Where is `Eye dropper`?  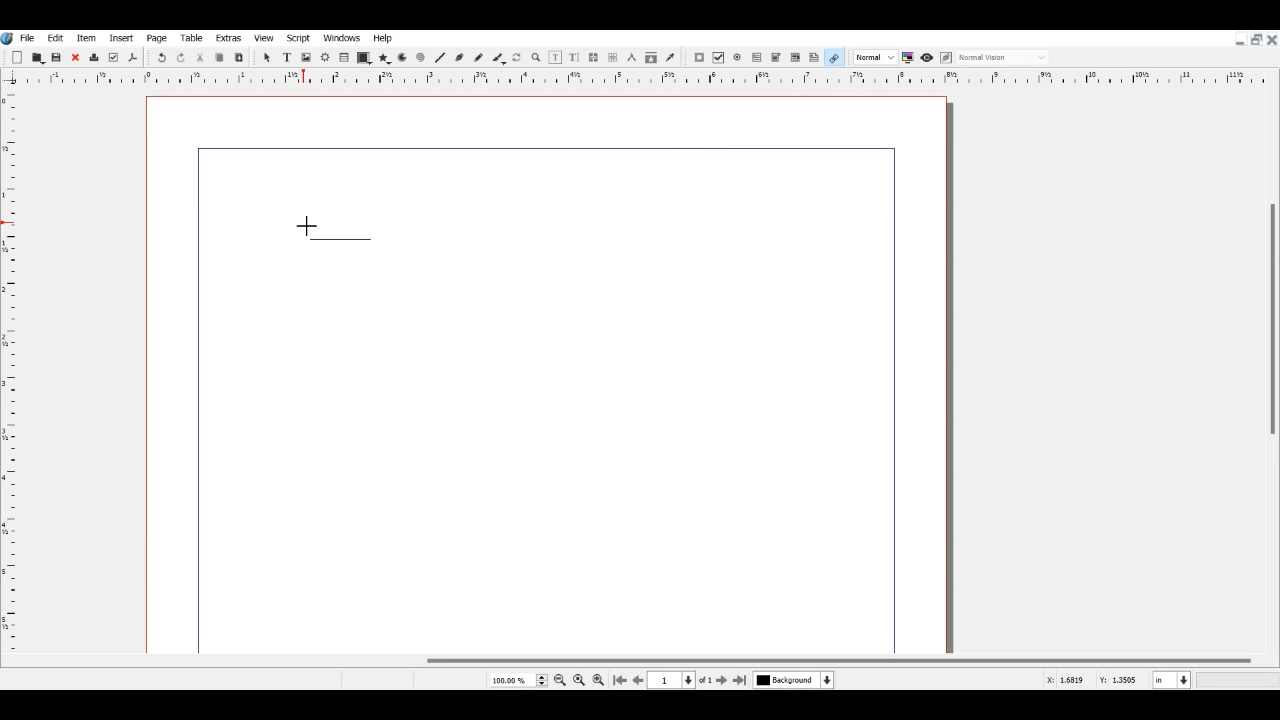 Eye dropper is located at coordinates (670, 57).